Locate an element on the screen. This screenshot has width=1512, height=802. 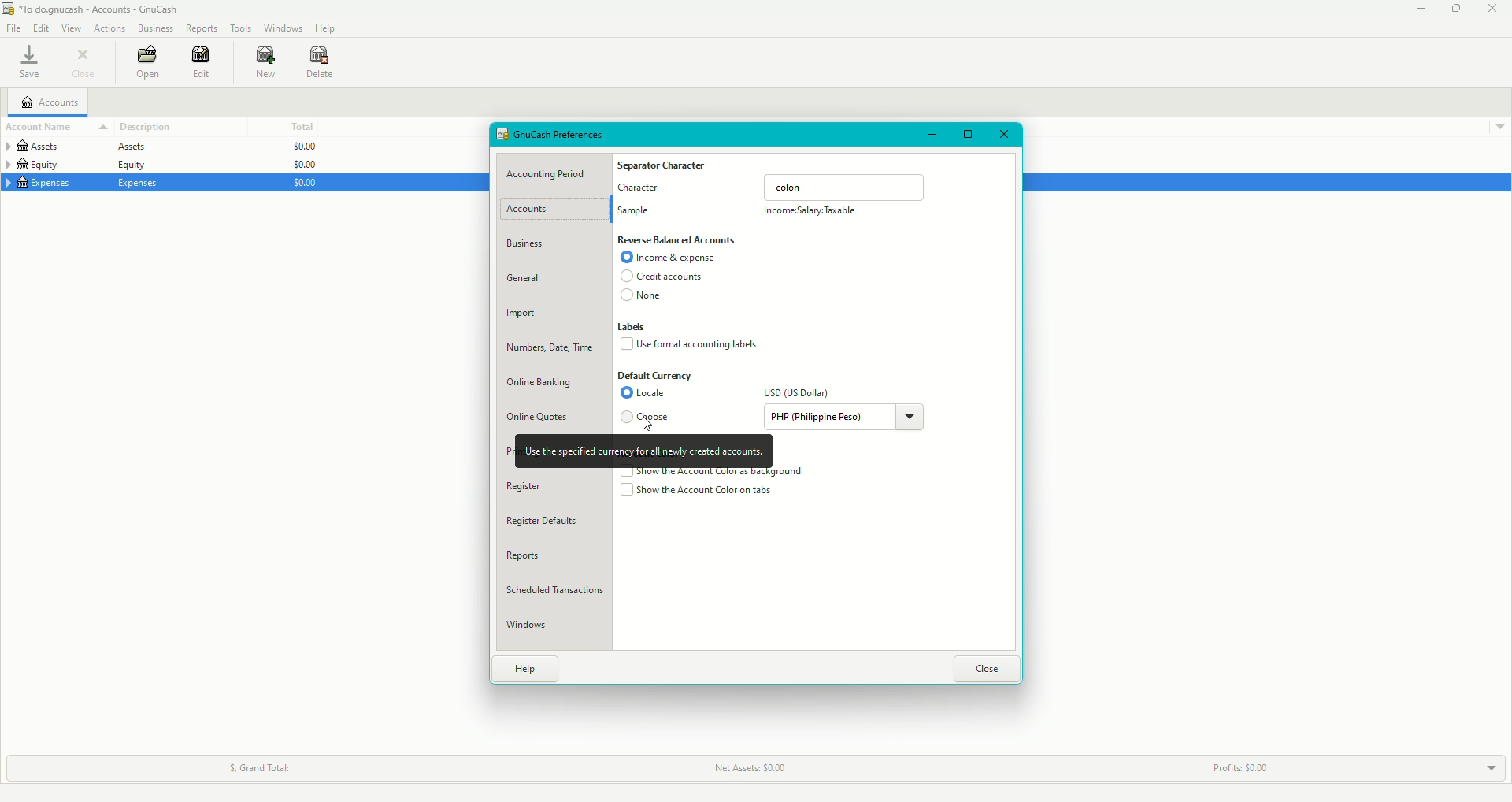
Income and Expenses is located at coordinates (672, 258).